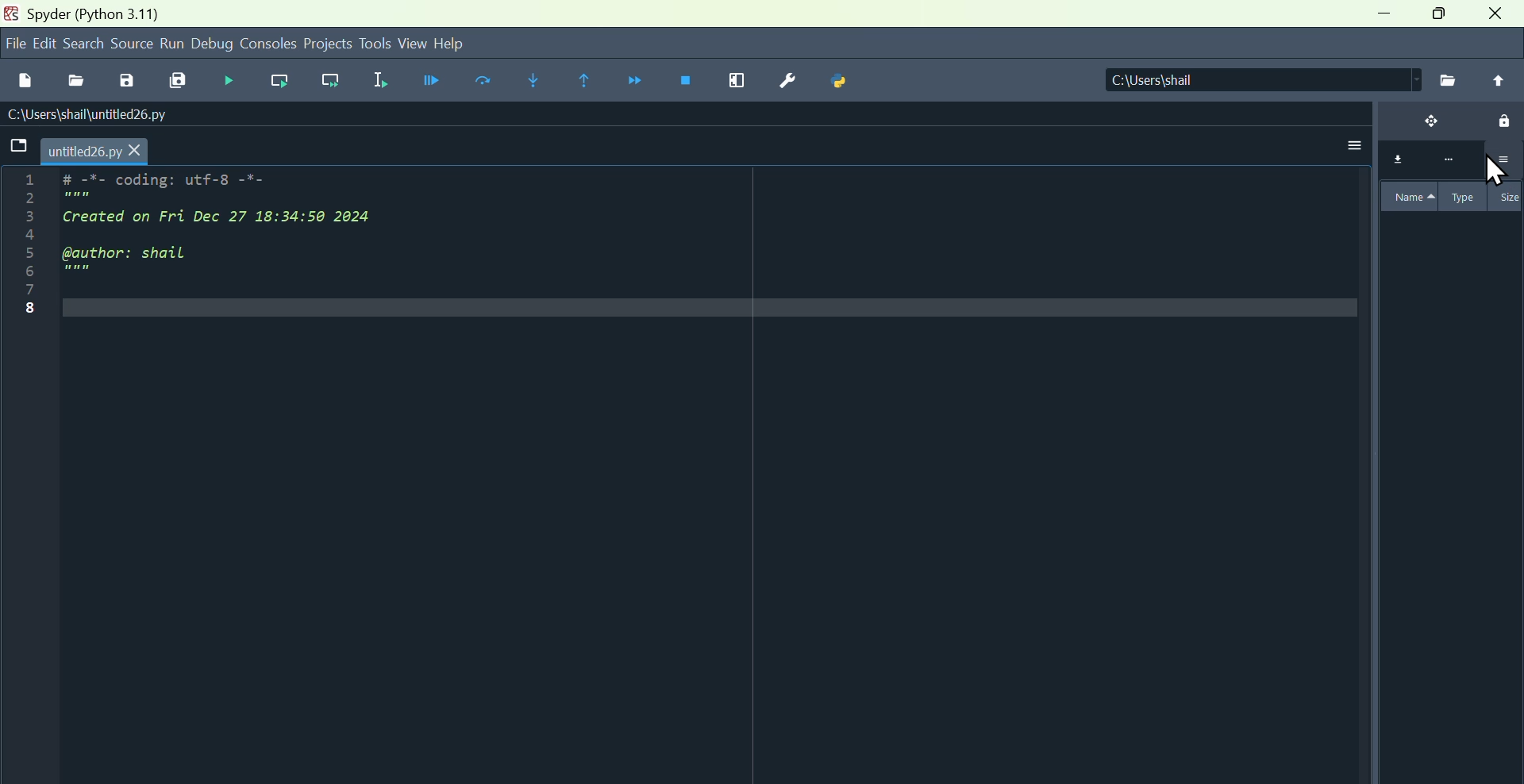 Image resolution: width=1524 pixels, height=784 pixels. What do you see at coordinates (1242, 81) in the screenshot?
I see `| C:\Users\shail` at bounding box center [1242, 81].